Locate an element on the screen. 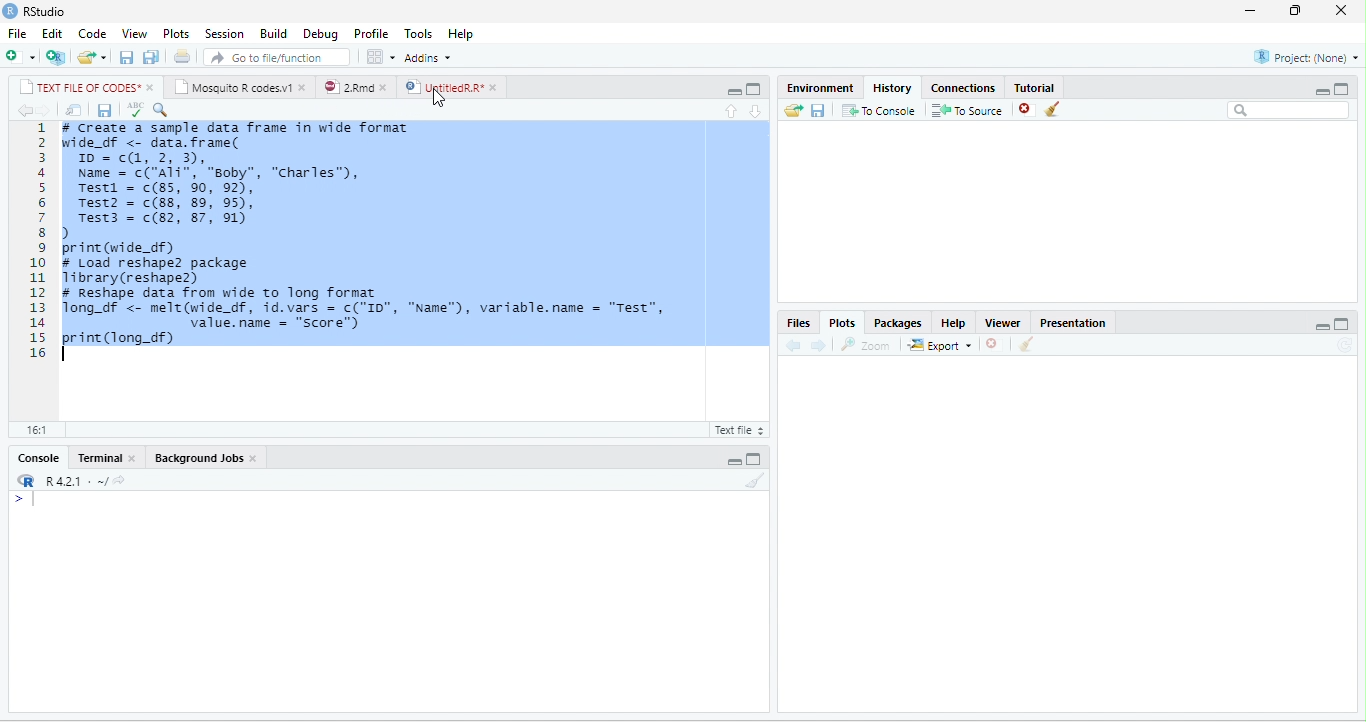  maximize is located at coordinates (1342, 89).